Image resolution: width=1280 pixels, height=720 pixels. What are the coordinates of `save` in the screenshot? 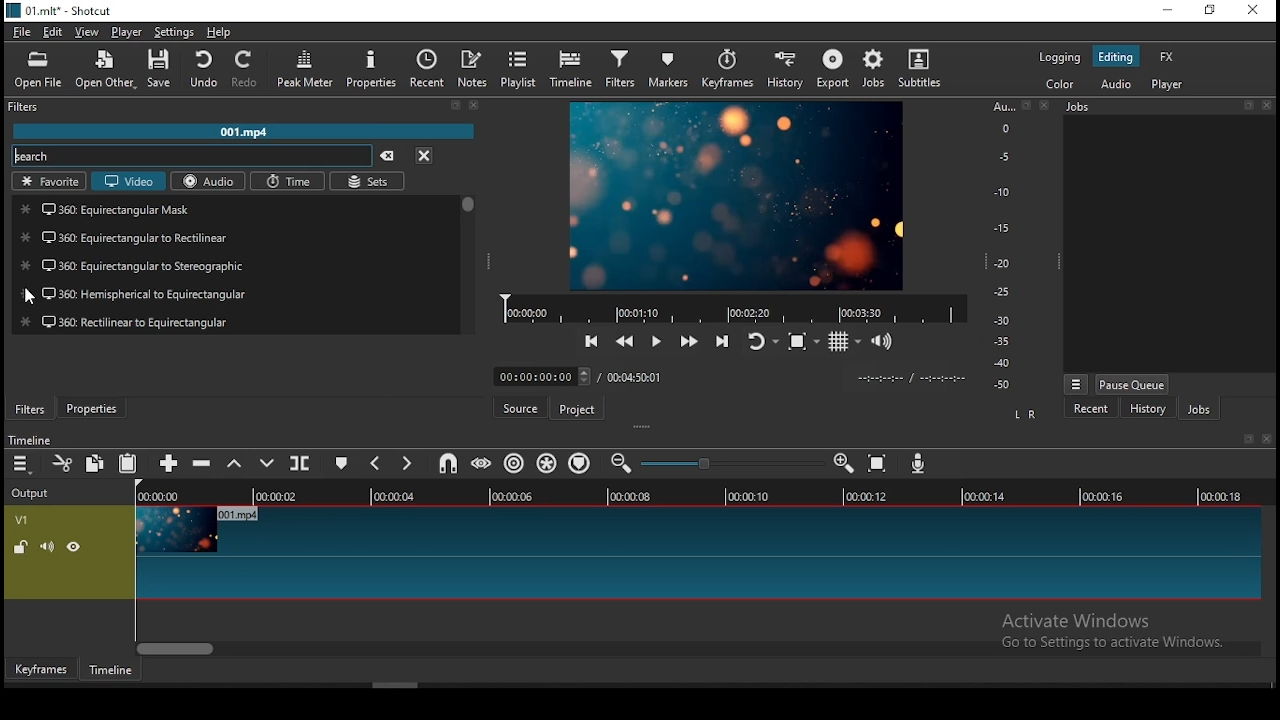 It's located at (163, 67).